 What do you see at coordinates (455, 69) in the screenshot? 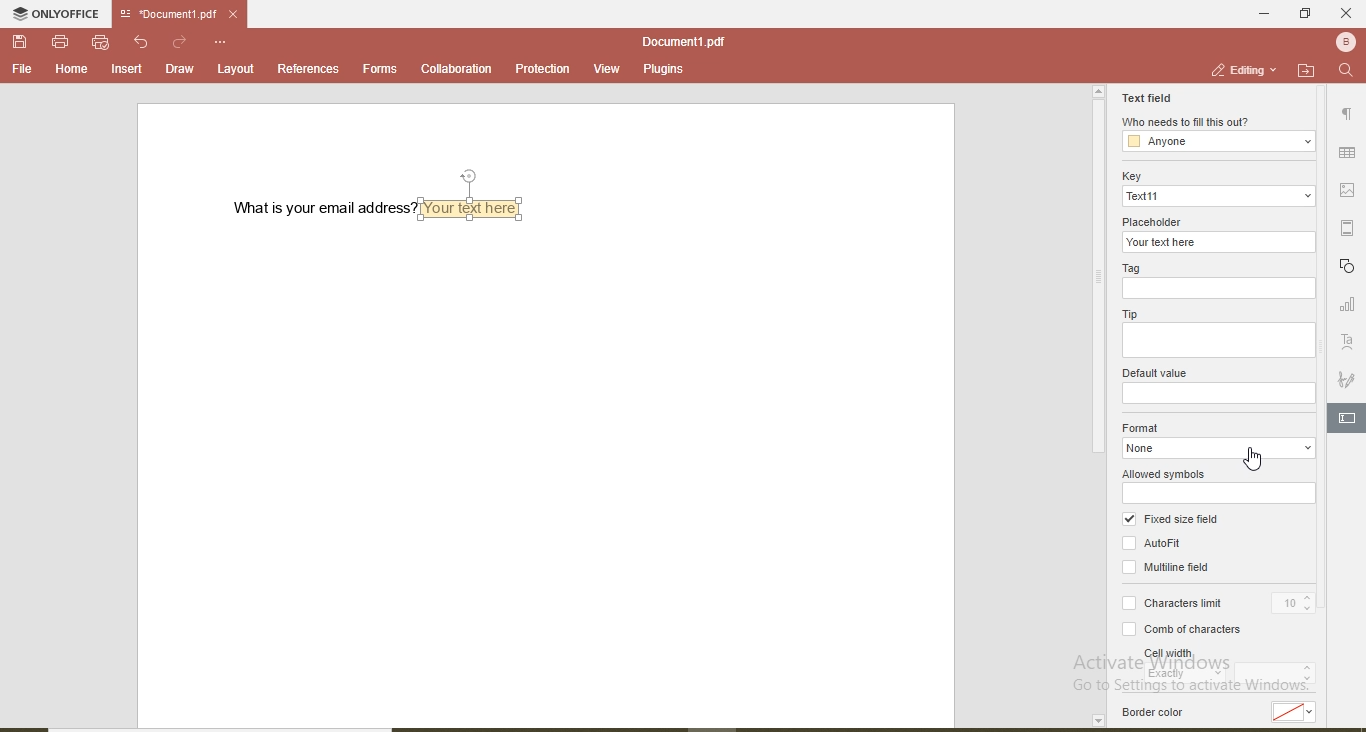
I see `collaboration` at bounding box center [455, 69].